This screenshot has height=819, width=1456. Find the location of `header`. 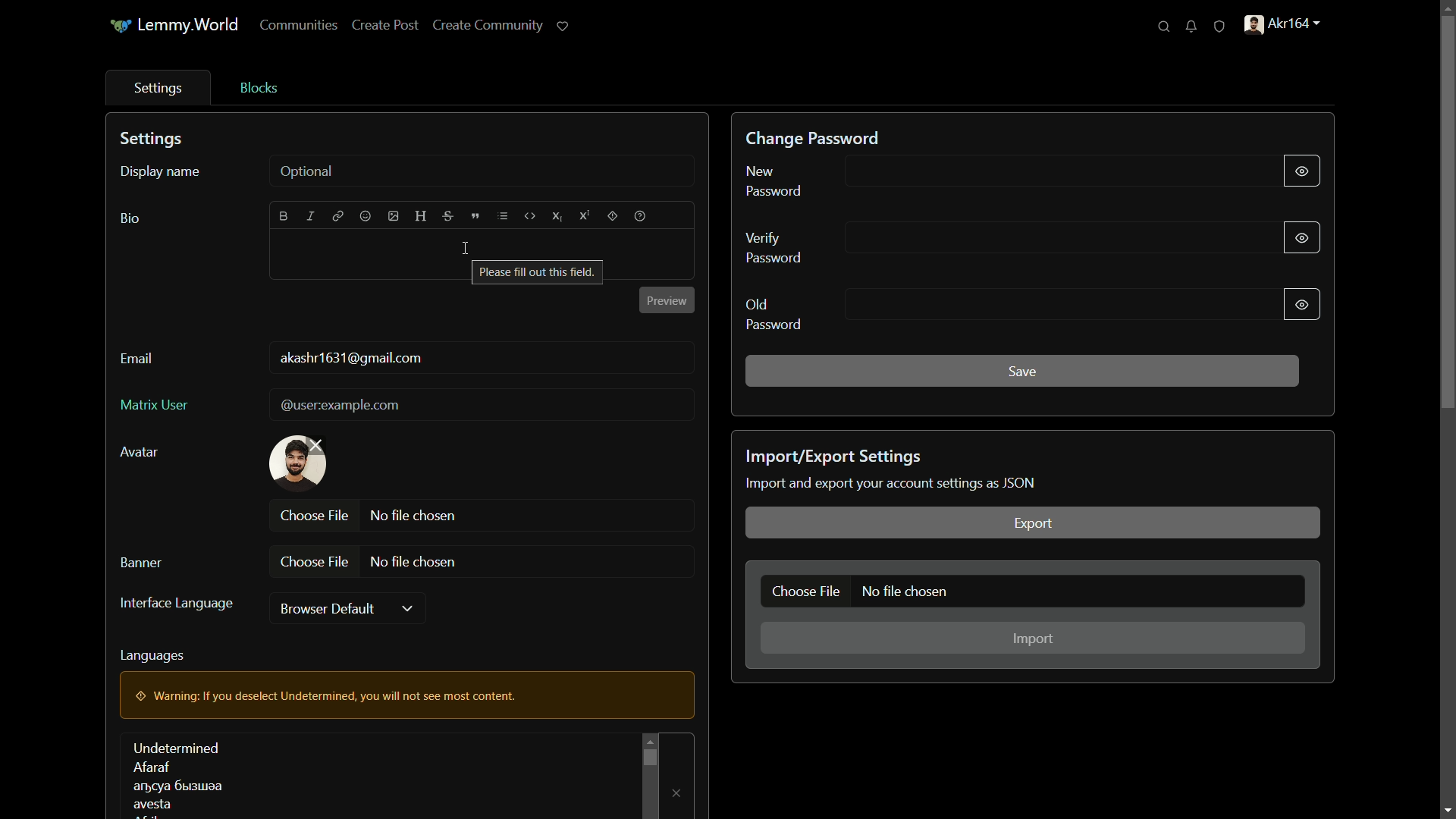

header is located at coordinates (420, 215).